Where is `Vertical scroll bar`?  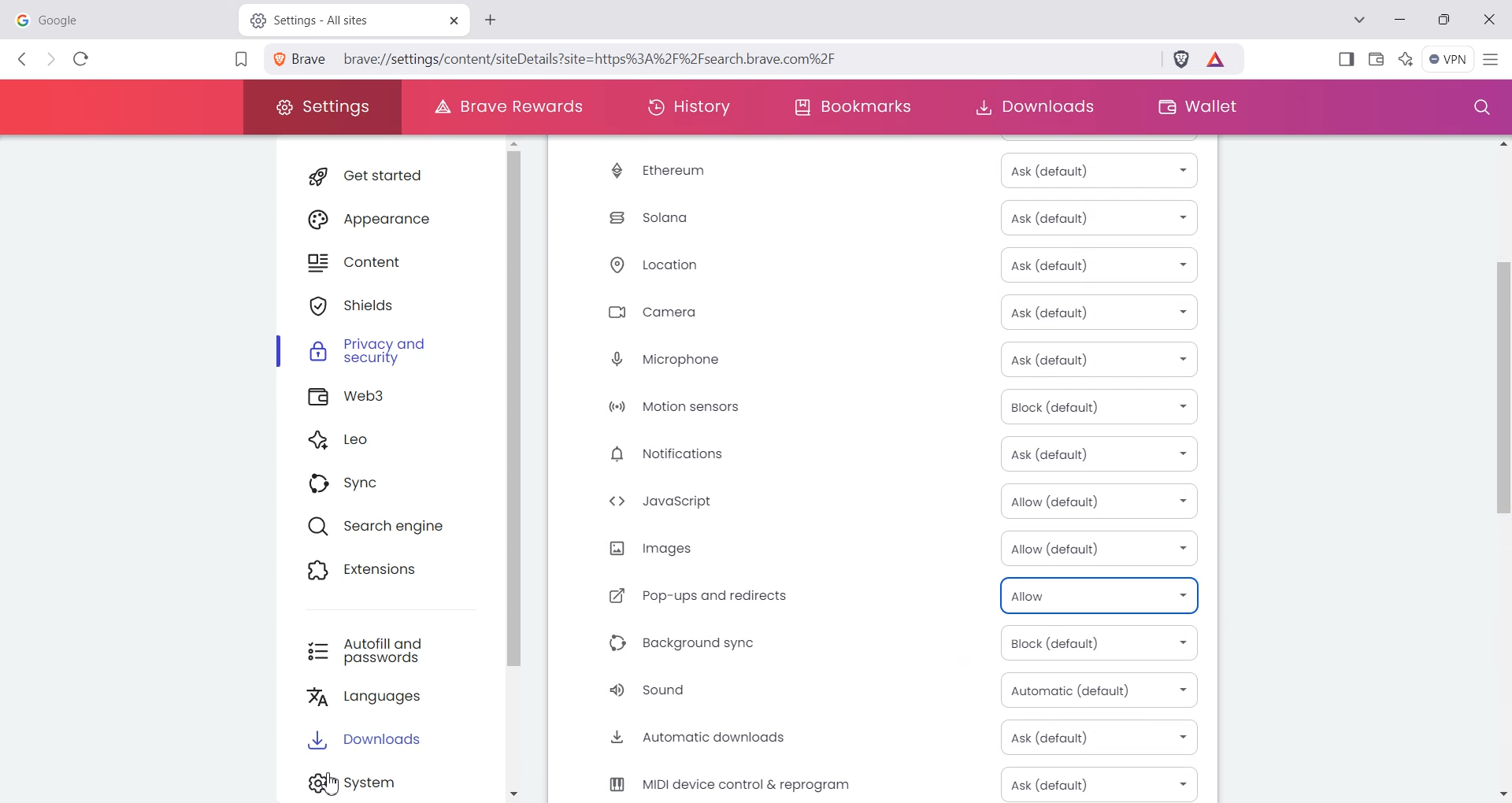 Vertical scroll bar is located at coordinates (1502, 467).